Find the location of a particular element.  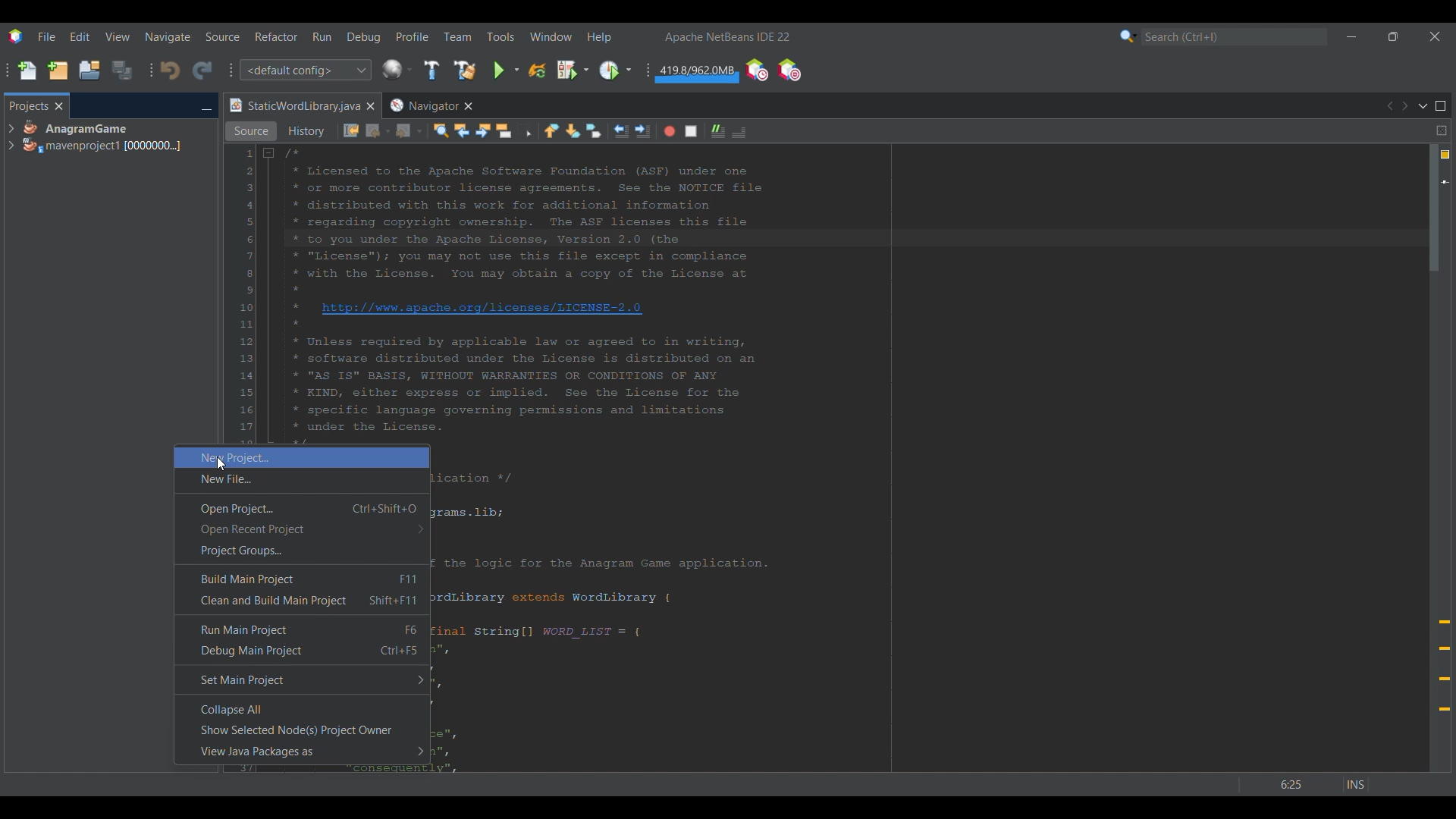

Software name and version is located at coordinates (728, 36).